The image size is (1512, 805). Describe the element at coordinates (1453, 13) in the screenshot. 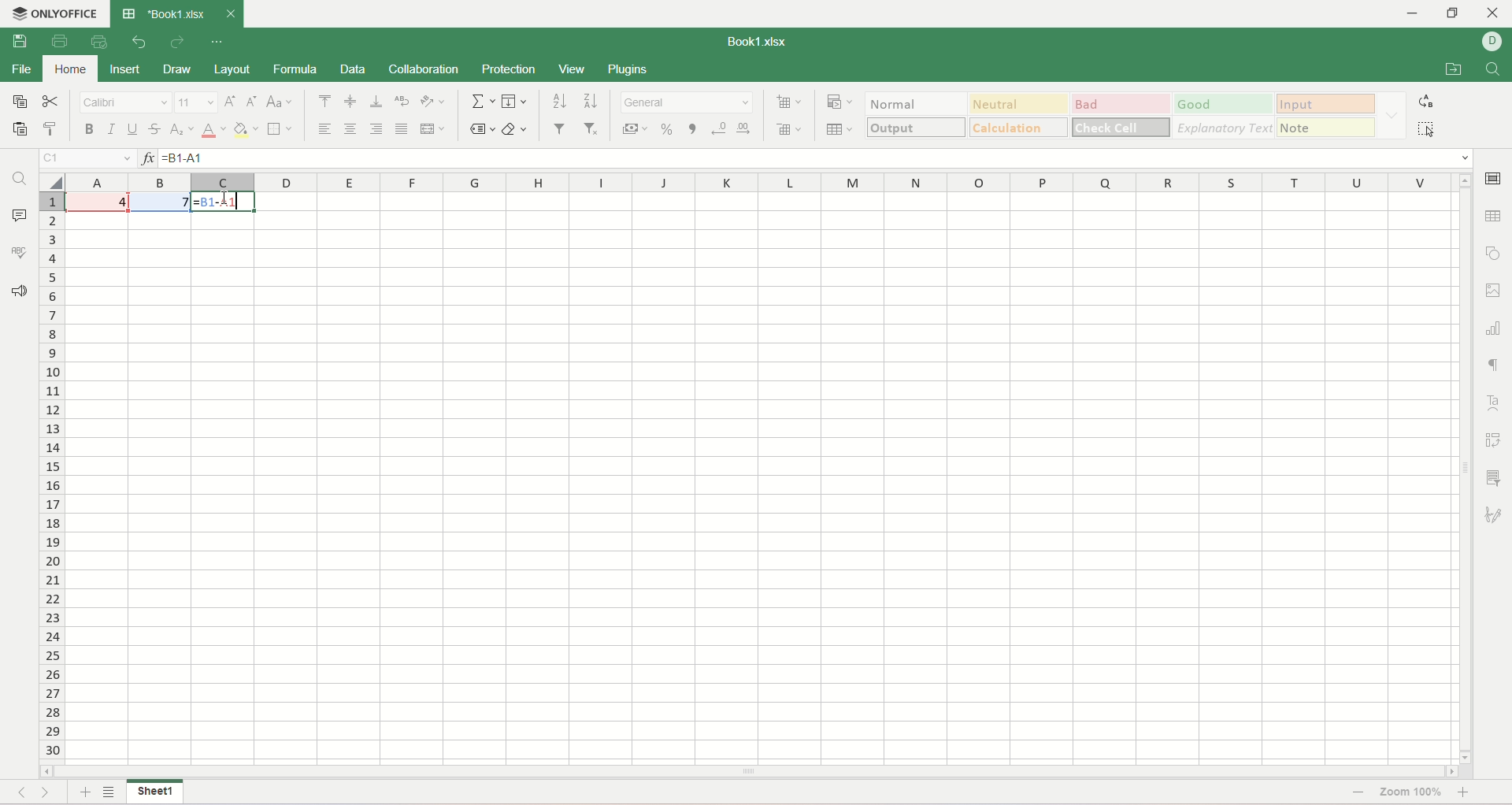

I see `maximize` at that location.